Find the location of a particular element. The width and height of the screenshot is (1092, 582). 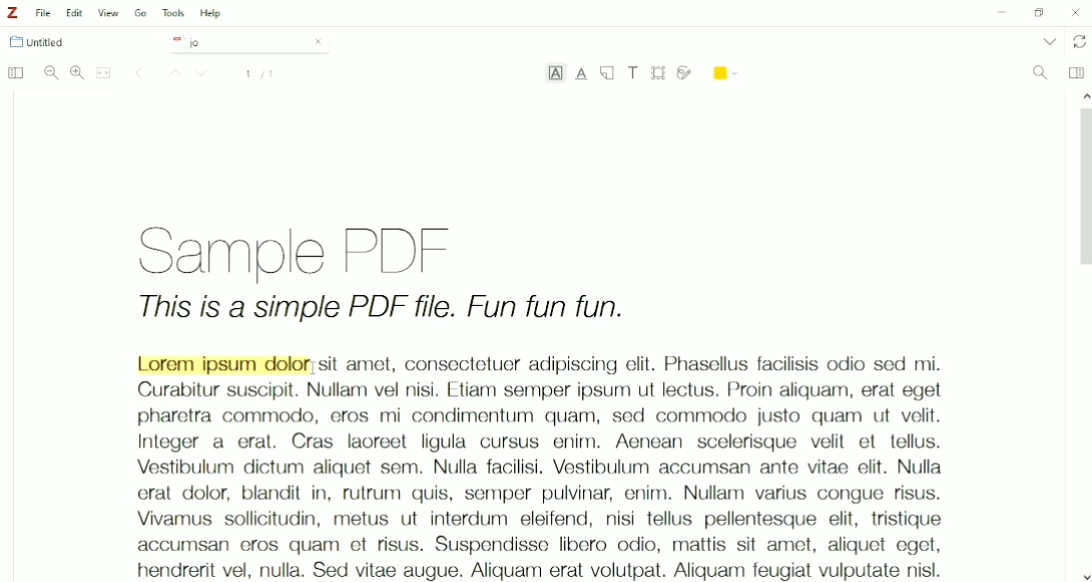

Down is located at coordinates (204, 75).